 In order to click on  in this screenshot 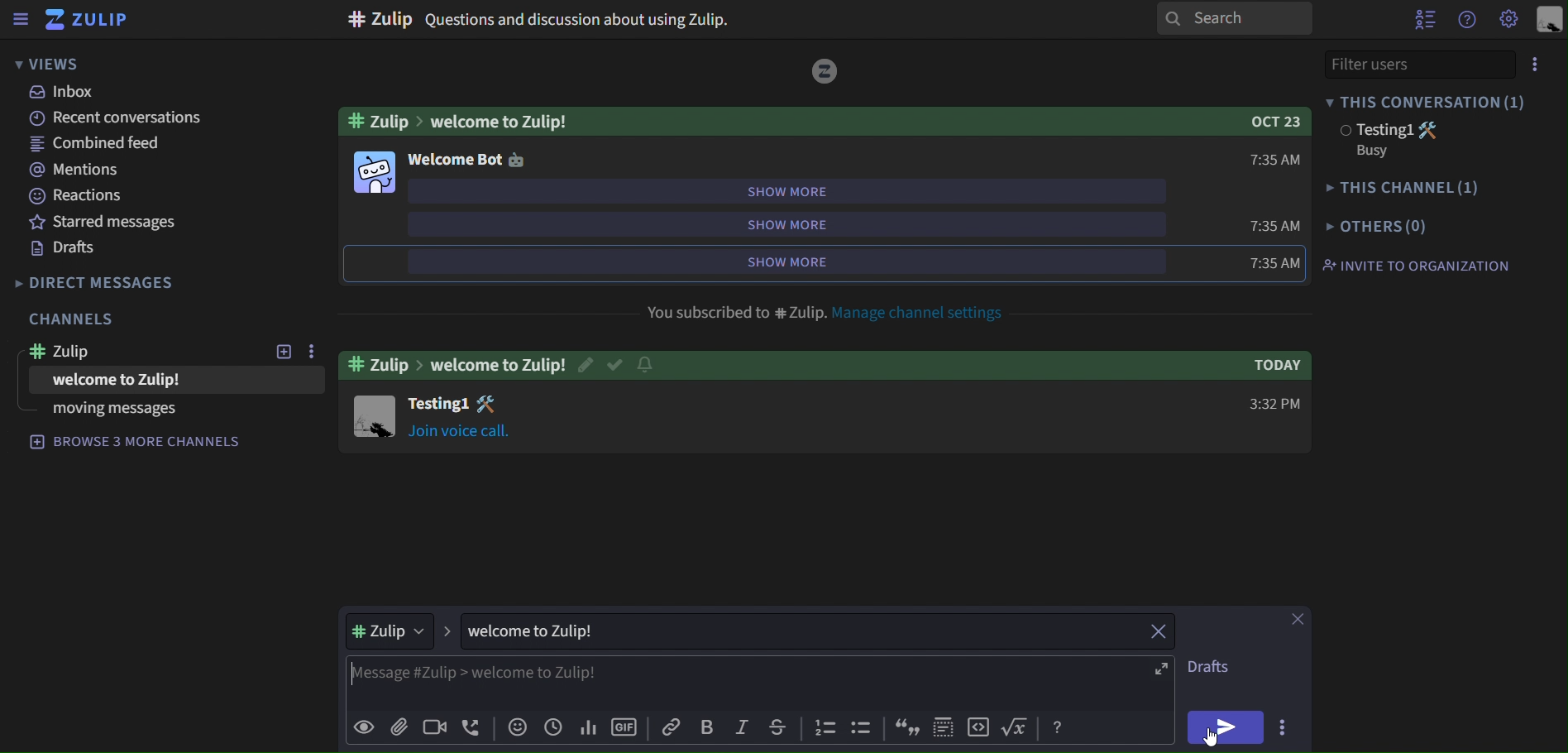, I will do `click(375, 174)`.